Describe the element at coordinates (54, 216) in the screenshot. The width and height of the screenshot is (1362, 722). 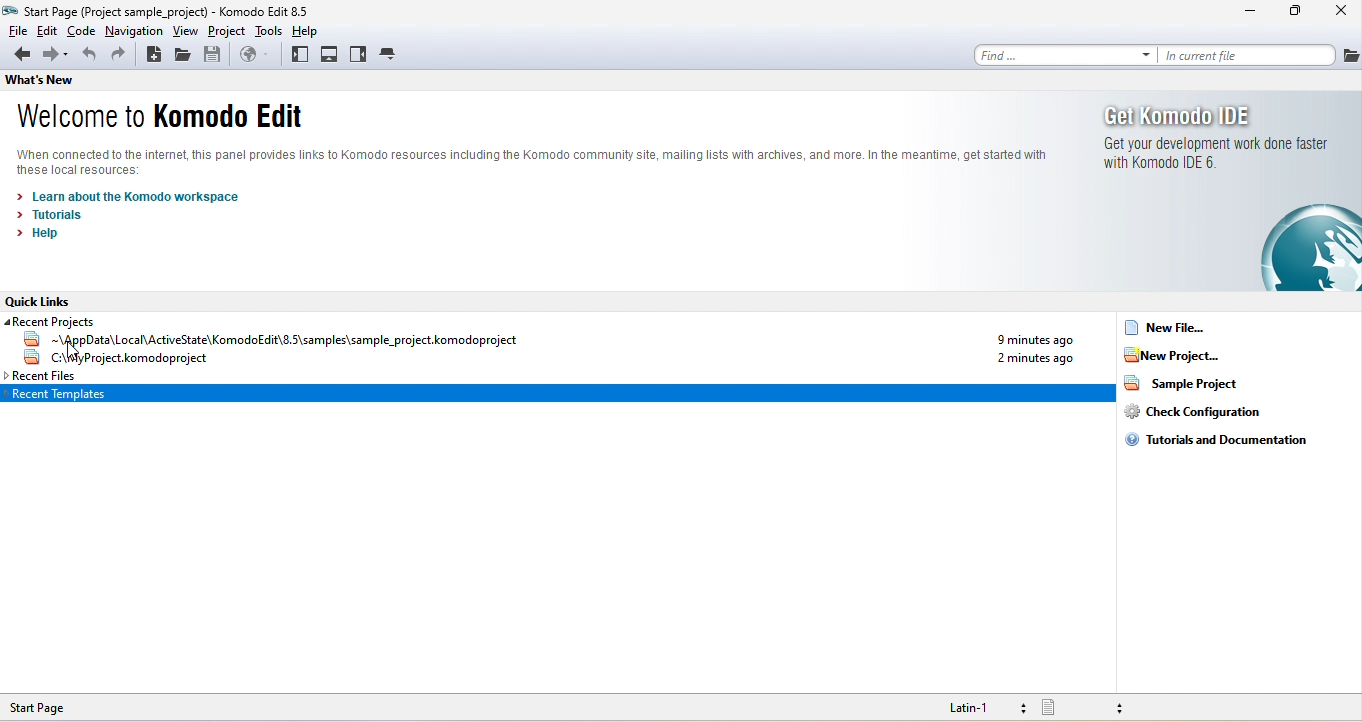
I see `tutorials` at that location.